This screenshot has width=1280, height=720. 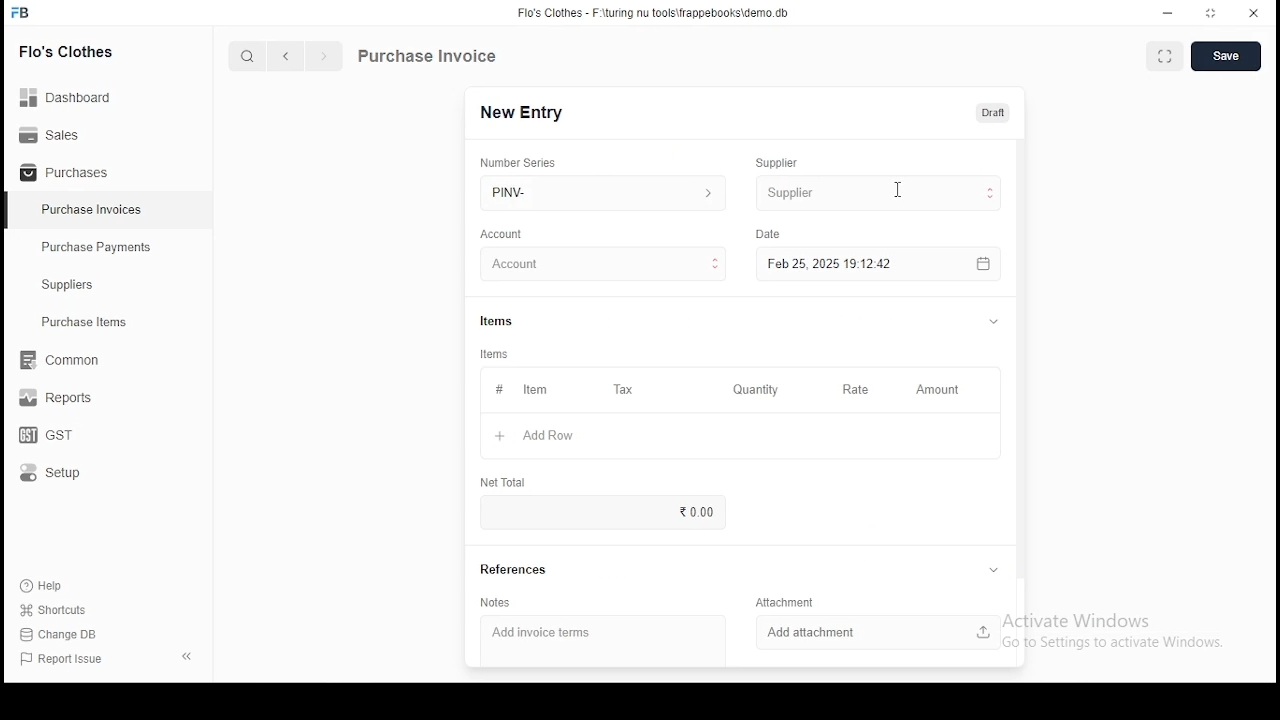 I want to click on ‘Purchase Payments, so click(x=98, y=247).